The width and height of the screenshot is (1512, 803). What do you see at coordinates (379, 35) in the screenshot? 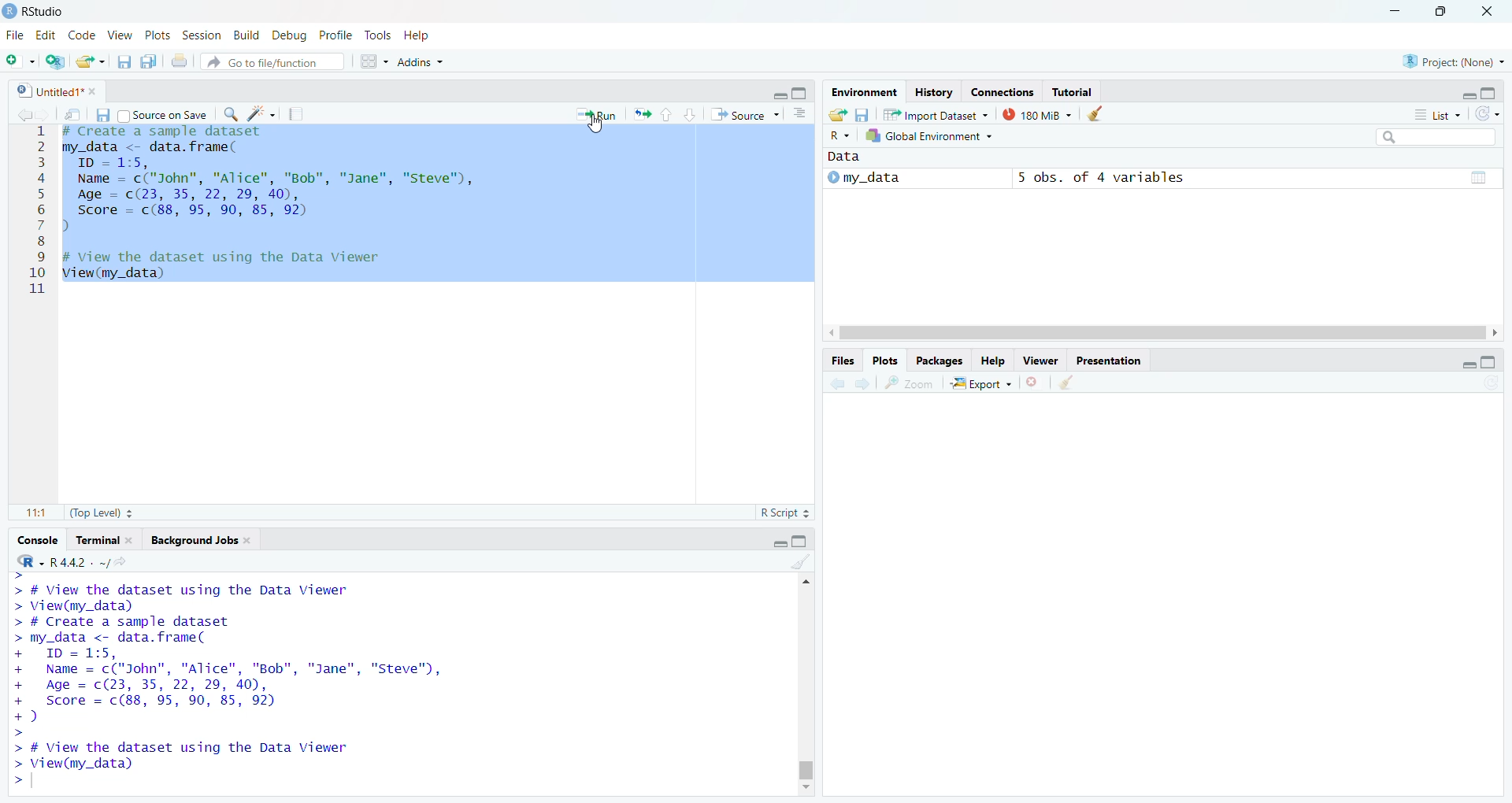
I see `Tools` at bounding box center [379, 35].